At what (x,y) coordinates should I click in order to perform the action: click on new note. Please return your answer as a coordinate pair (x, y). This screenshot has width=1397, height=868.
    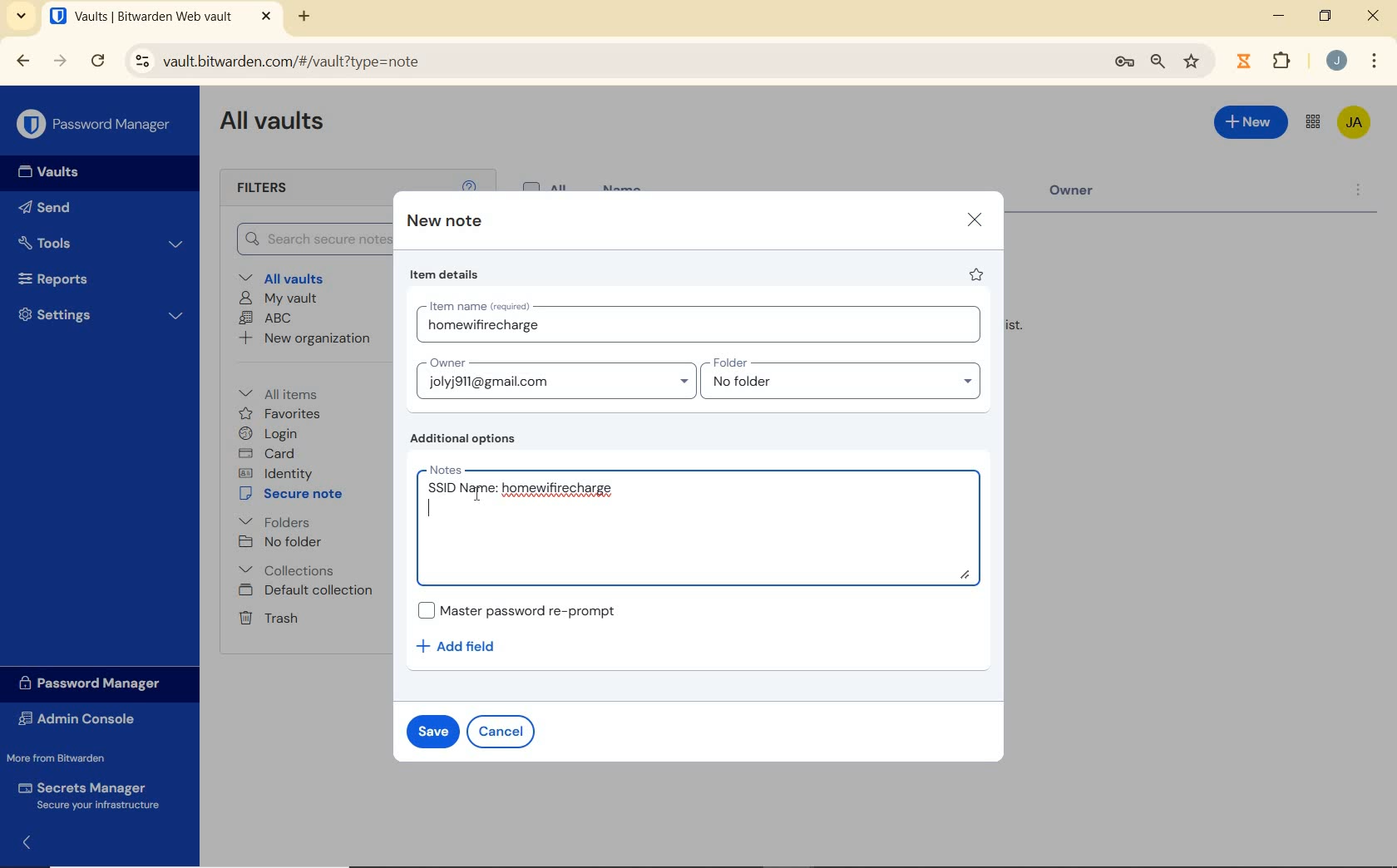
    Looking at the image, I should click on (442, 221).